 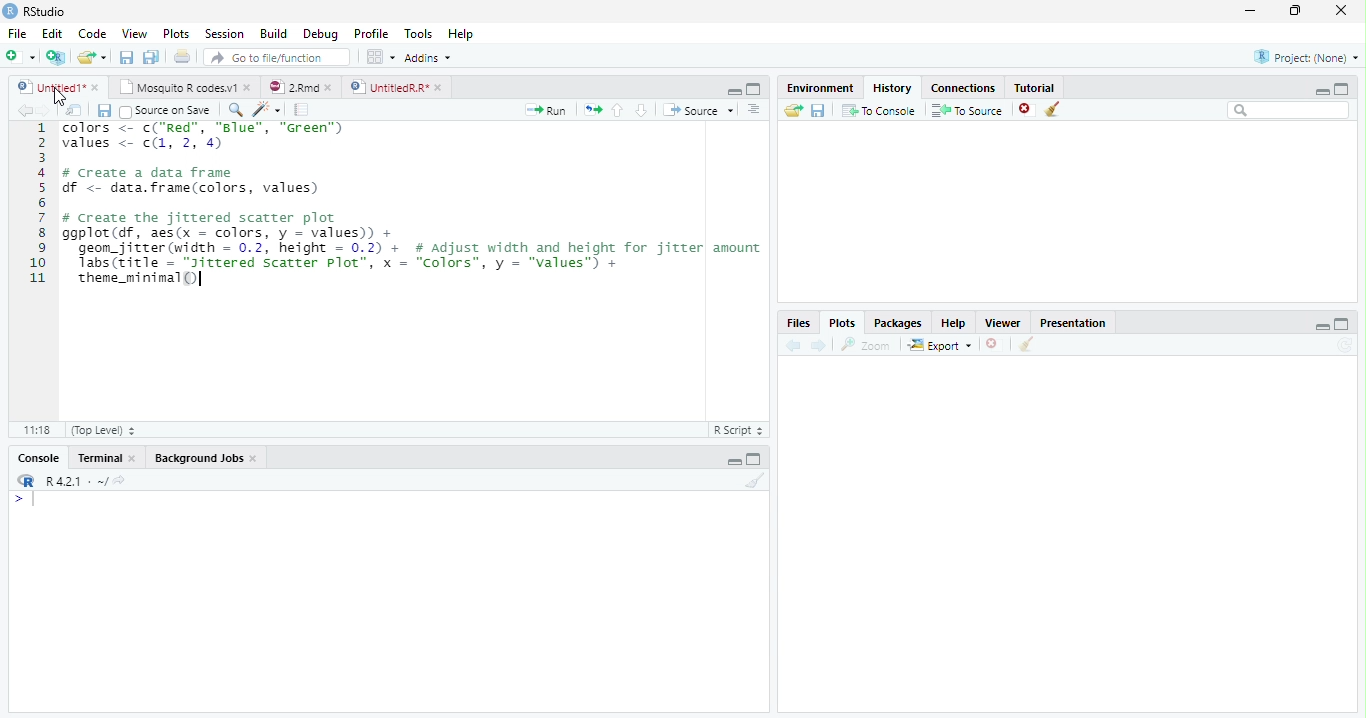 What do you see at coordinates (1342, 89) in the screenshot?
I see `Maximize` at bounding box center [1342, 89].